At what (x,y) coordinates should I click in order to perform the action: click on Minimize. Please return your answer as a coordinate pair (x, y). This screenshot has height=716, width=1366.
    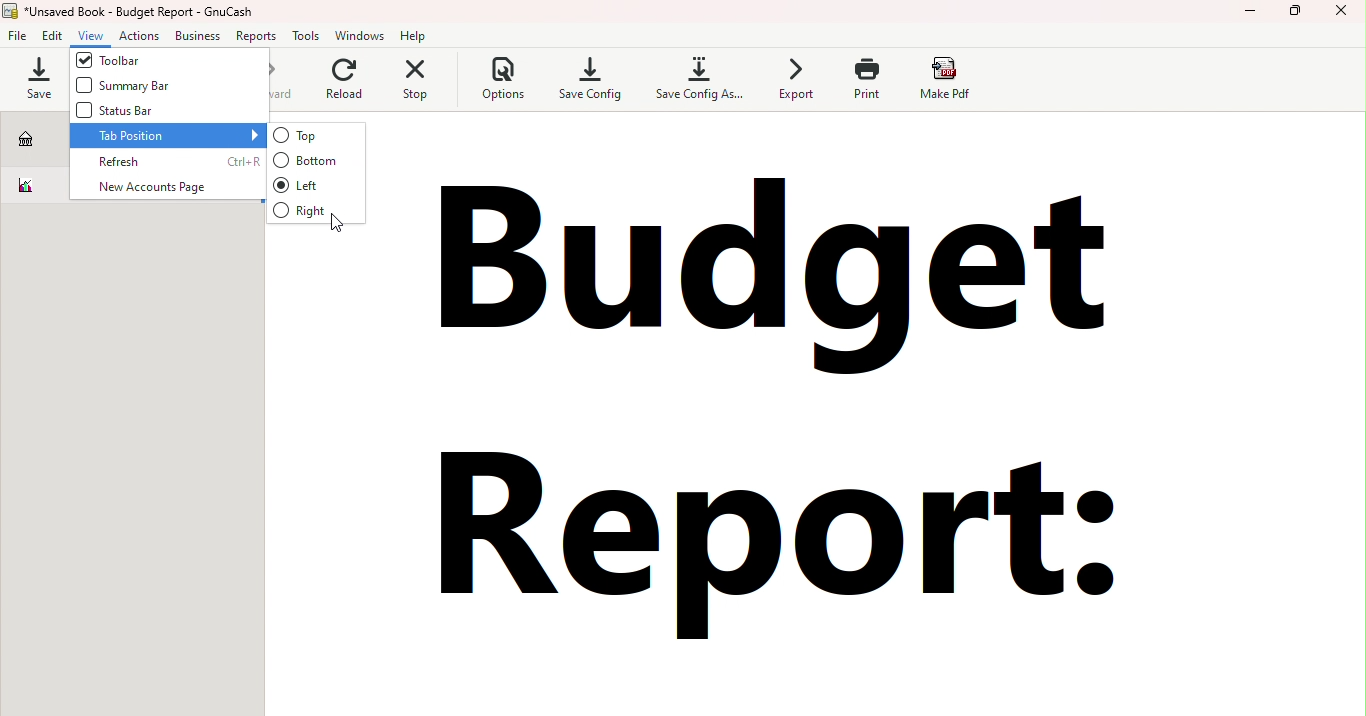
    Looking at the image, I should click on (1252, 13).